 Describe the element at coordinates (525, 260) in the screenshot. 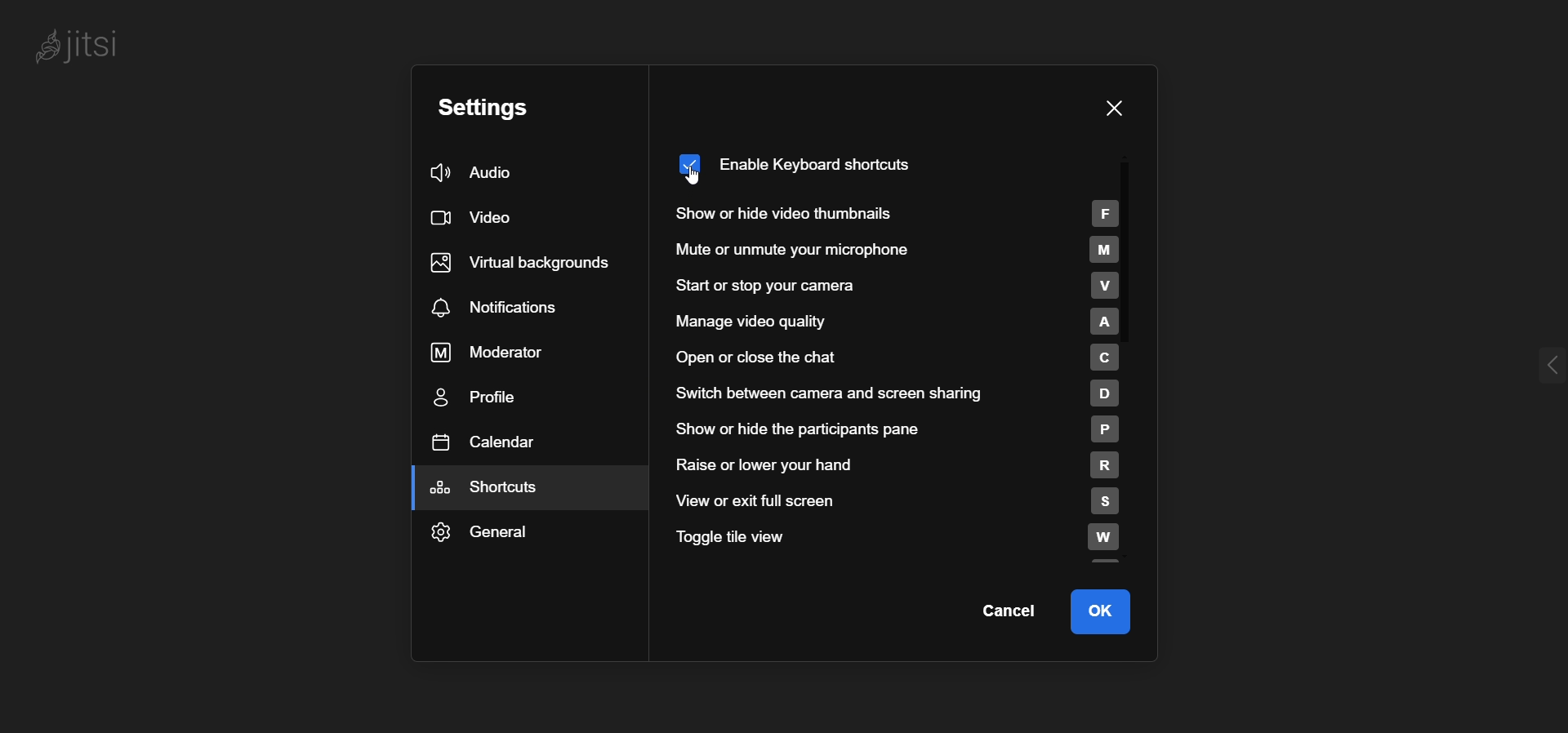

I see `virtual background` at that location.